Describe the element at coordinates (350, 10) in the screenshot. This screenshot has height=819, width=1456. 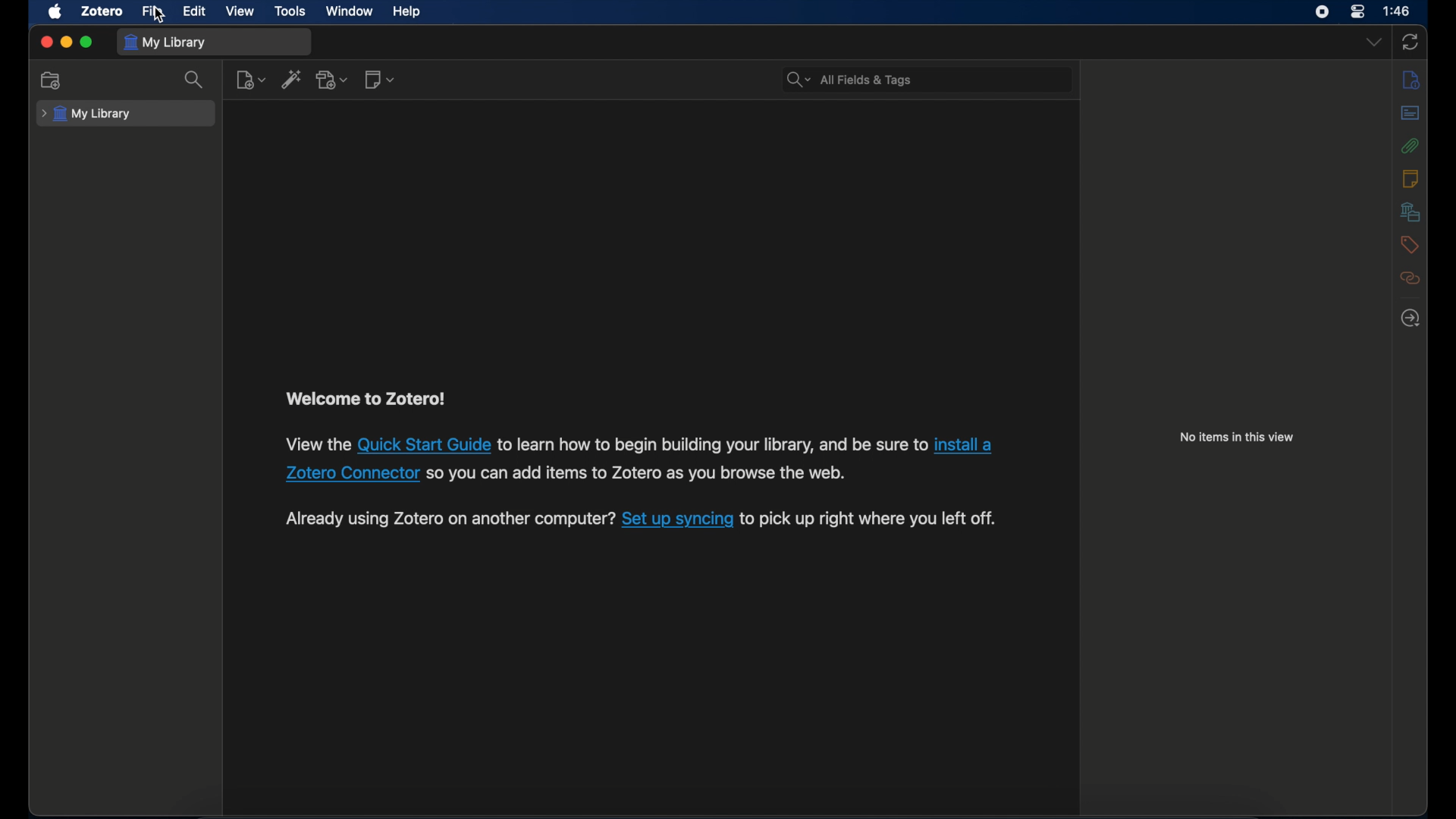
I see `window` at that location.